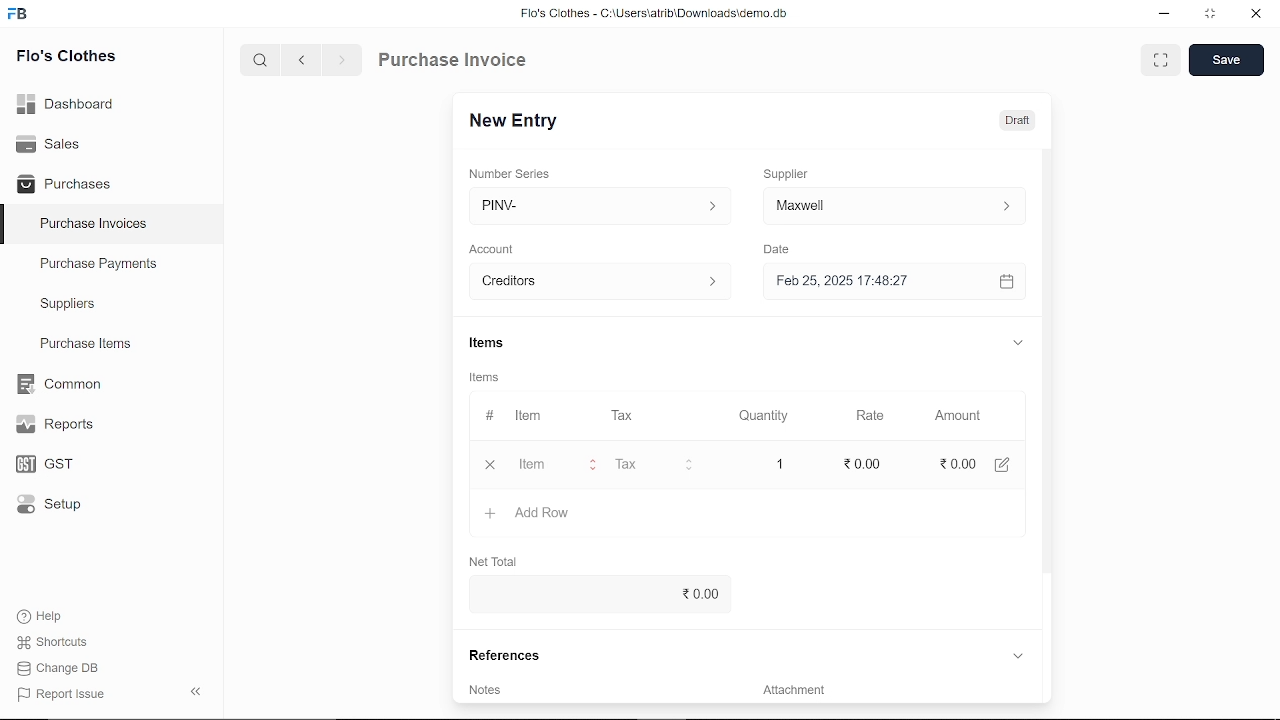 The width and height of the screenshot is (1280, 720). What do you see at coordinates (22, 15) in the screenshot?
I see `frappe books logo` at bounding box center [22, 15].